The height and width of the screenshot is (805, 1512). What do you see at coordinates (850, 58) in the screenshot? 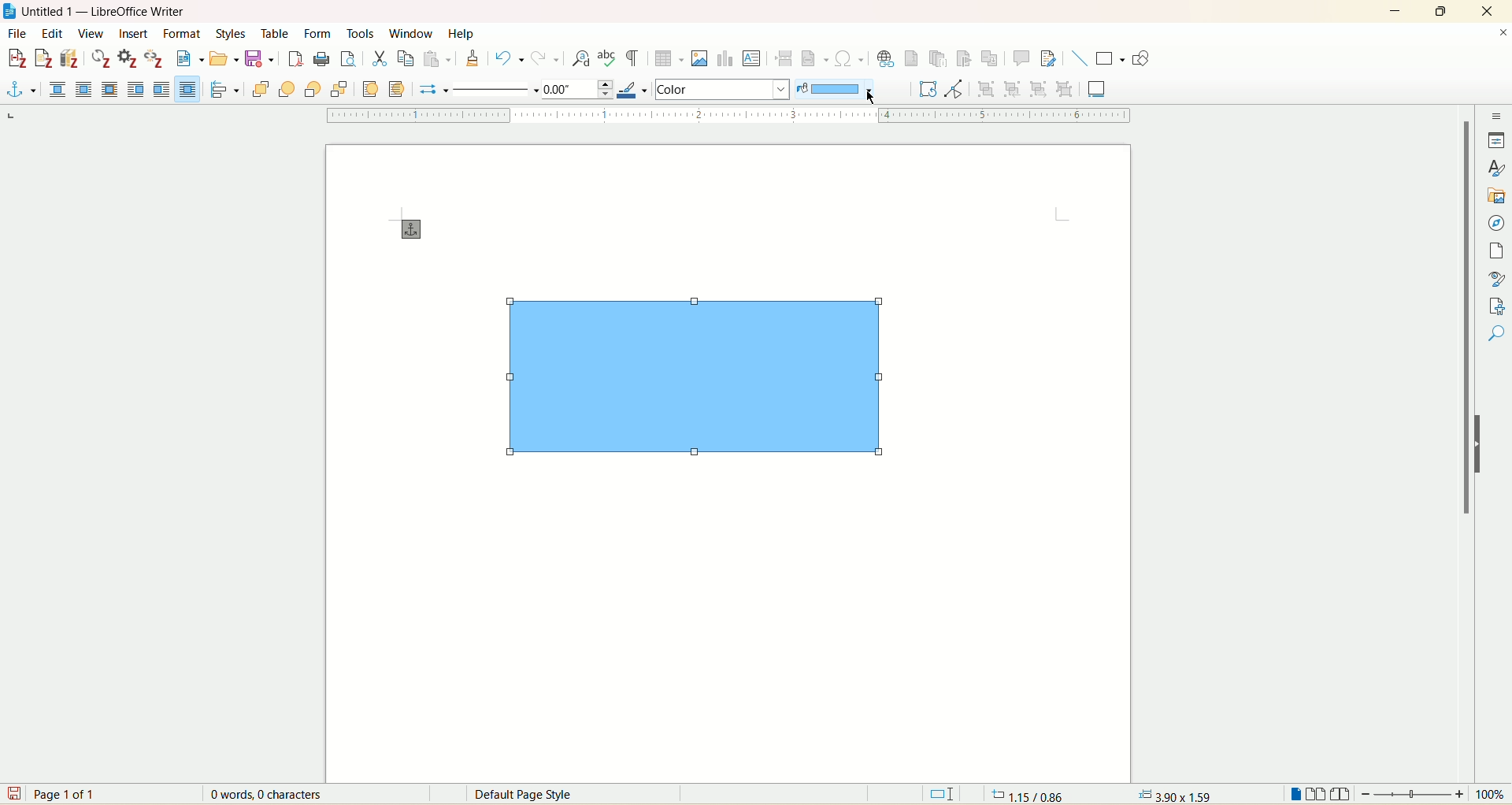
I see `insert special character` at bounding box center [850, 58].